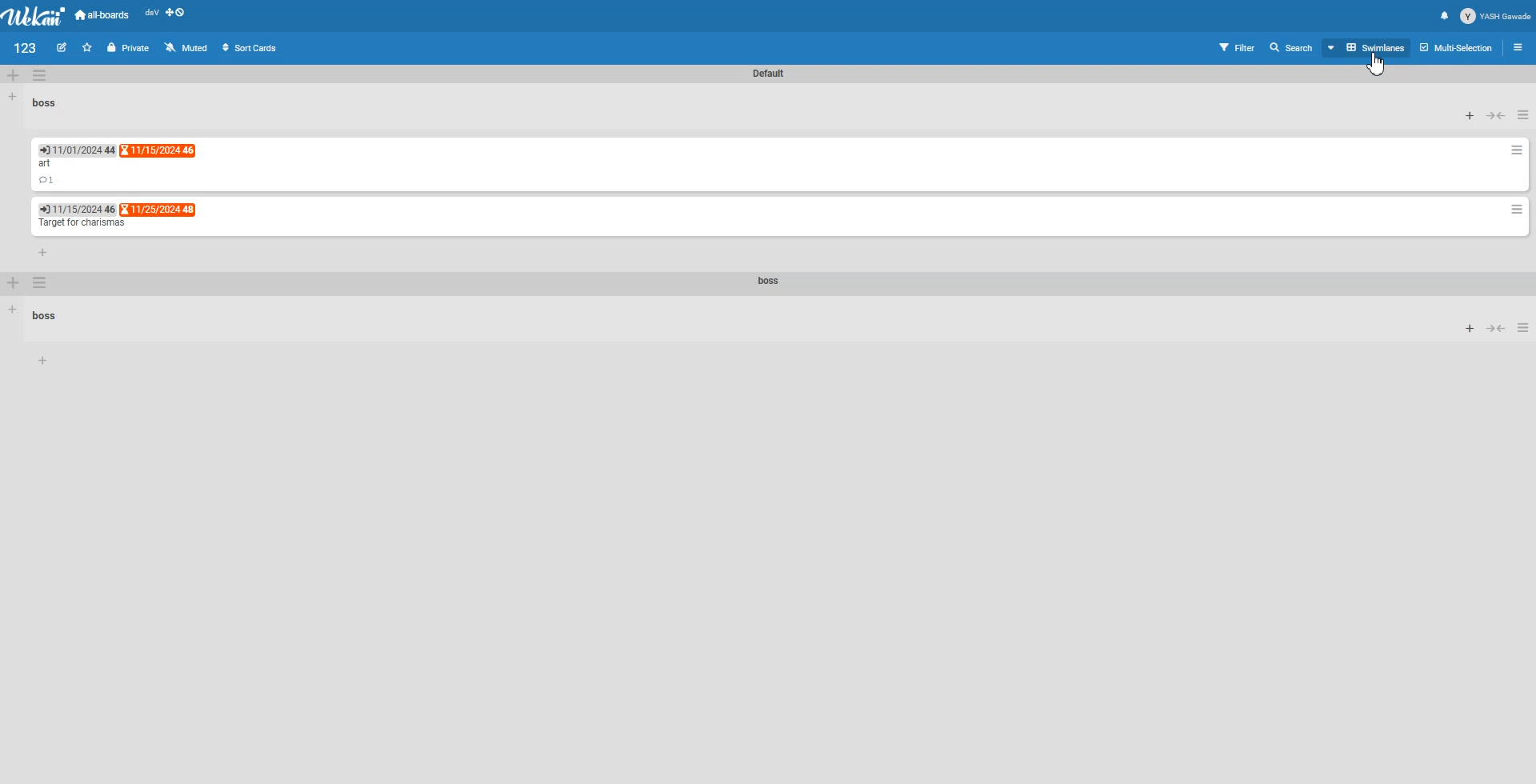  Describe the element at coordinates (158, 151) in the screenshot. I see `End date` at that location.